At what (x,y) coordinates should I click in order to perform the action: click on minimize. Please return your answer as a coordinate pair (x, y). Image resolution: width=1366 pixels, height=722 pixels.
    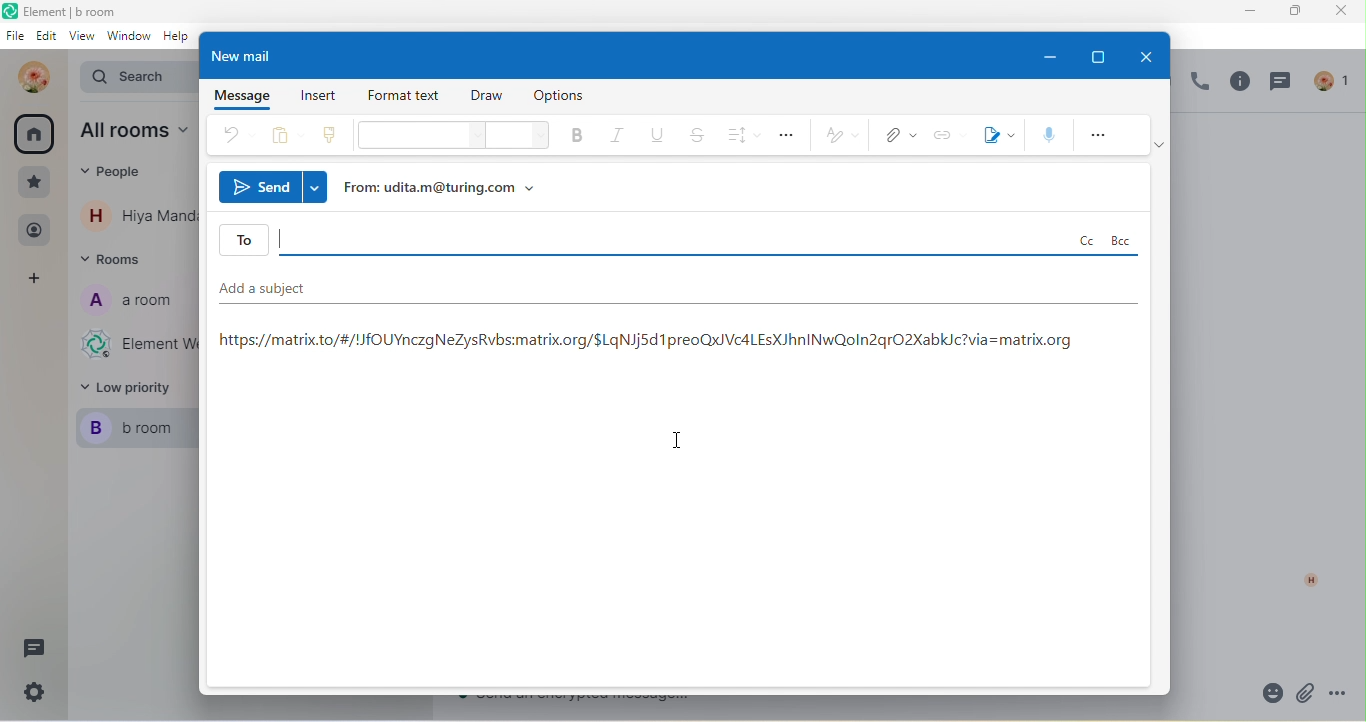
    Looking at the image, I should click on (1050, 56).